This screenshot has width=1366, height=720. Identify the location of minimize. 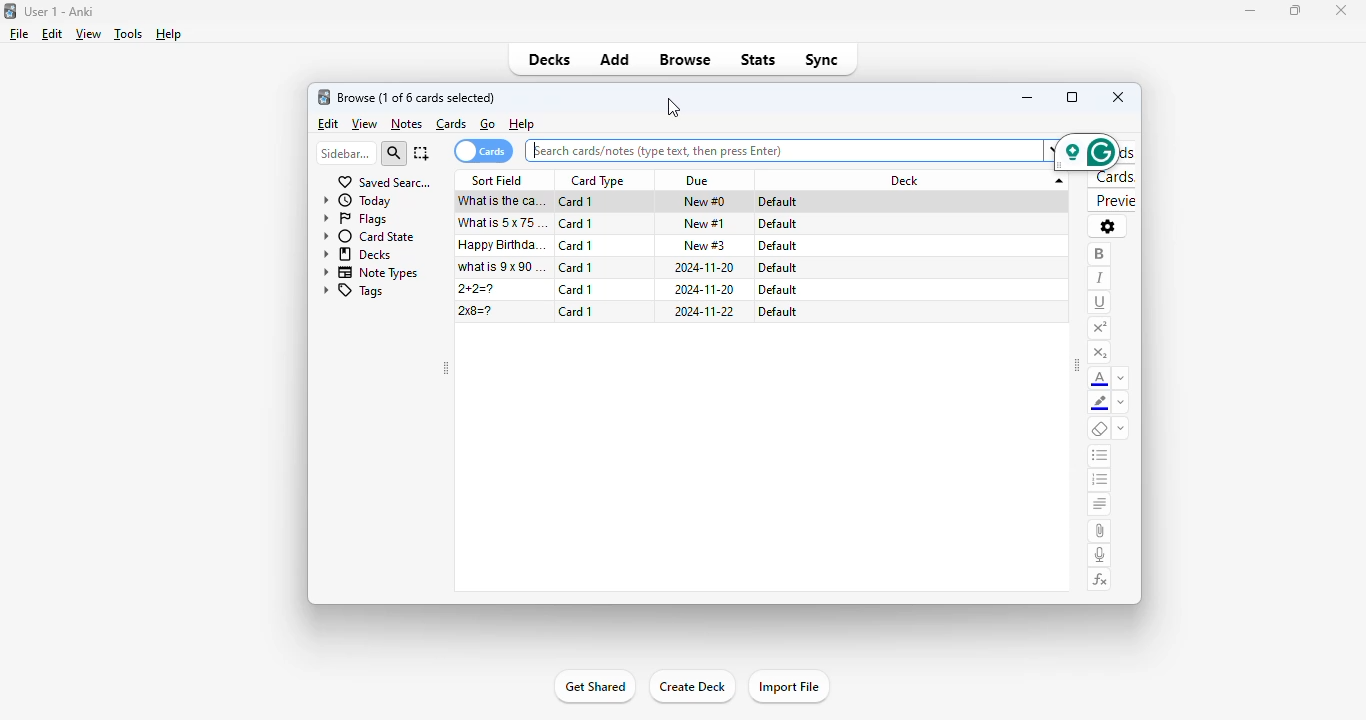
(1027, 97).